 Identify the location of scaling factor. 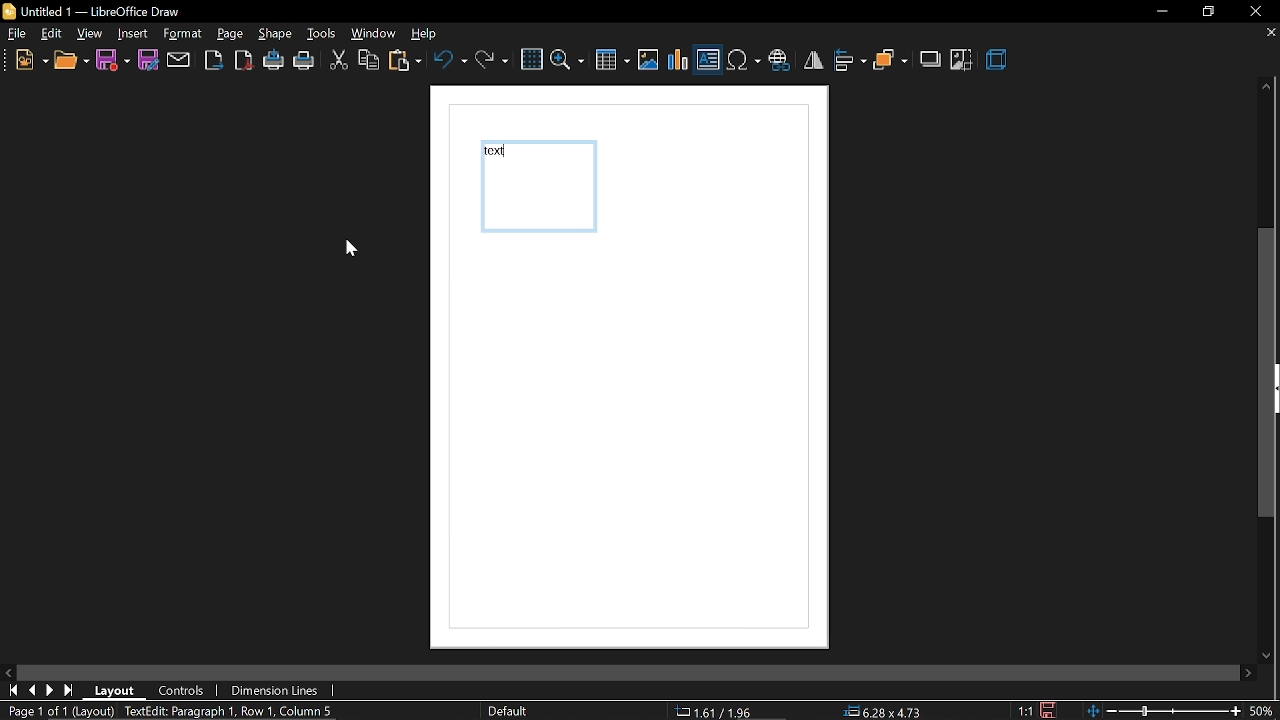
(1026, 711).